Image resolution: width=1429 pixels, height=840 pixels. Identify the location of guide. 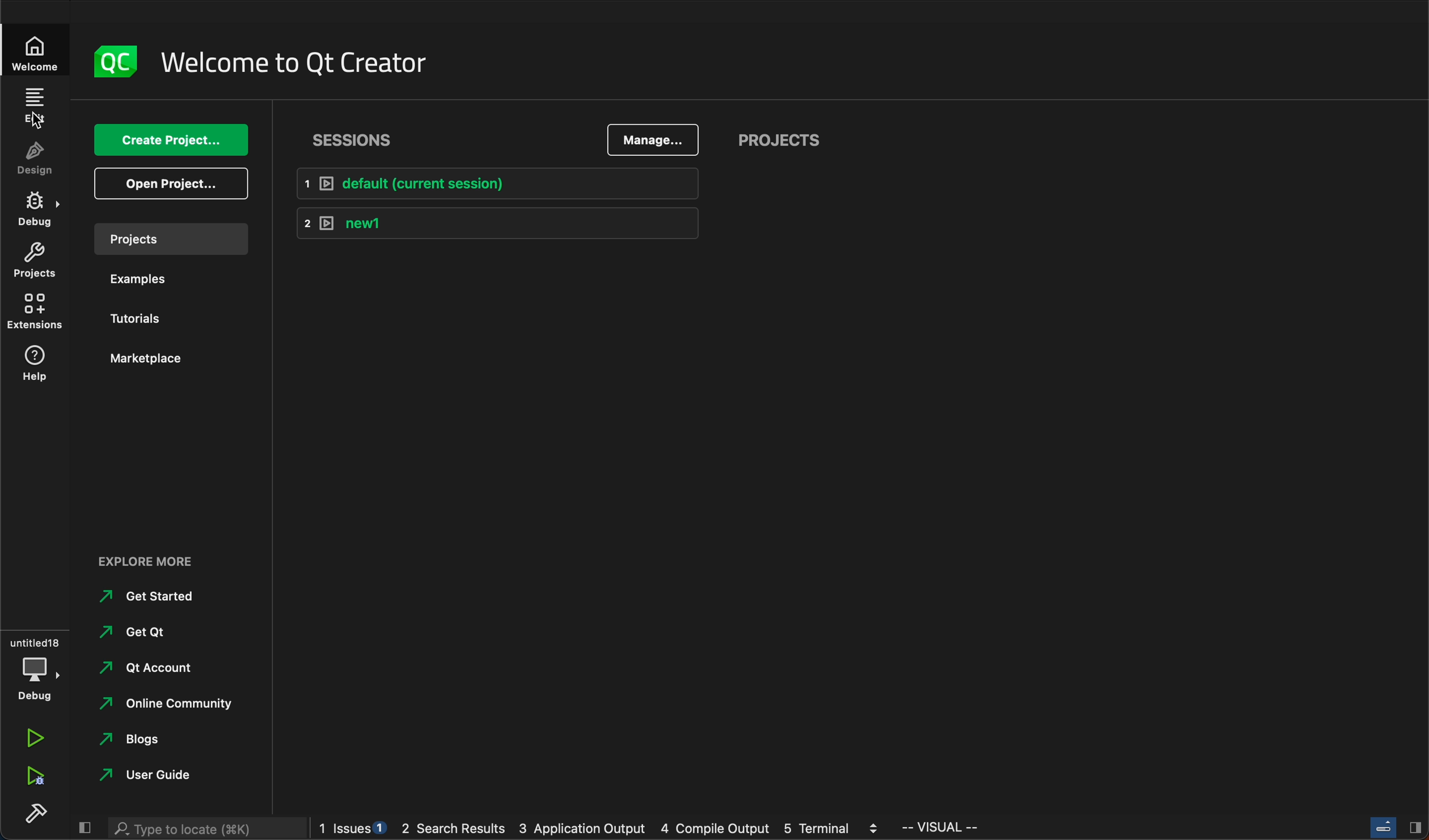
(158, 773).